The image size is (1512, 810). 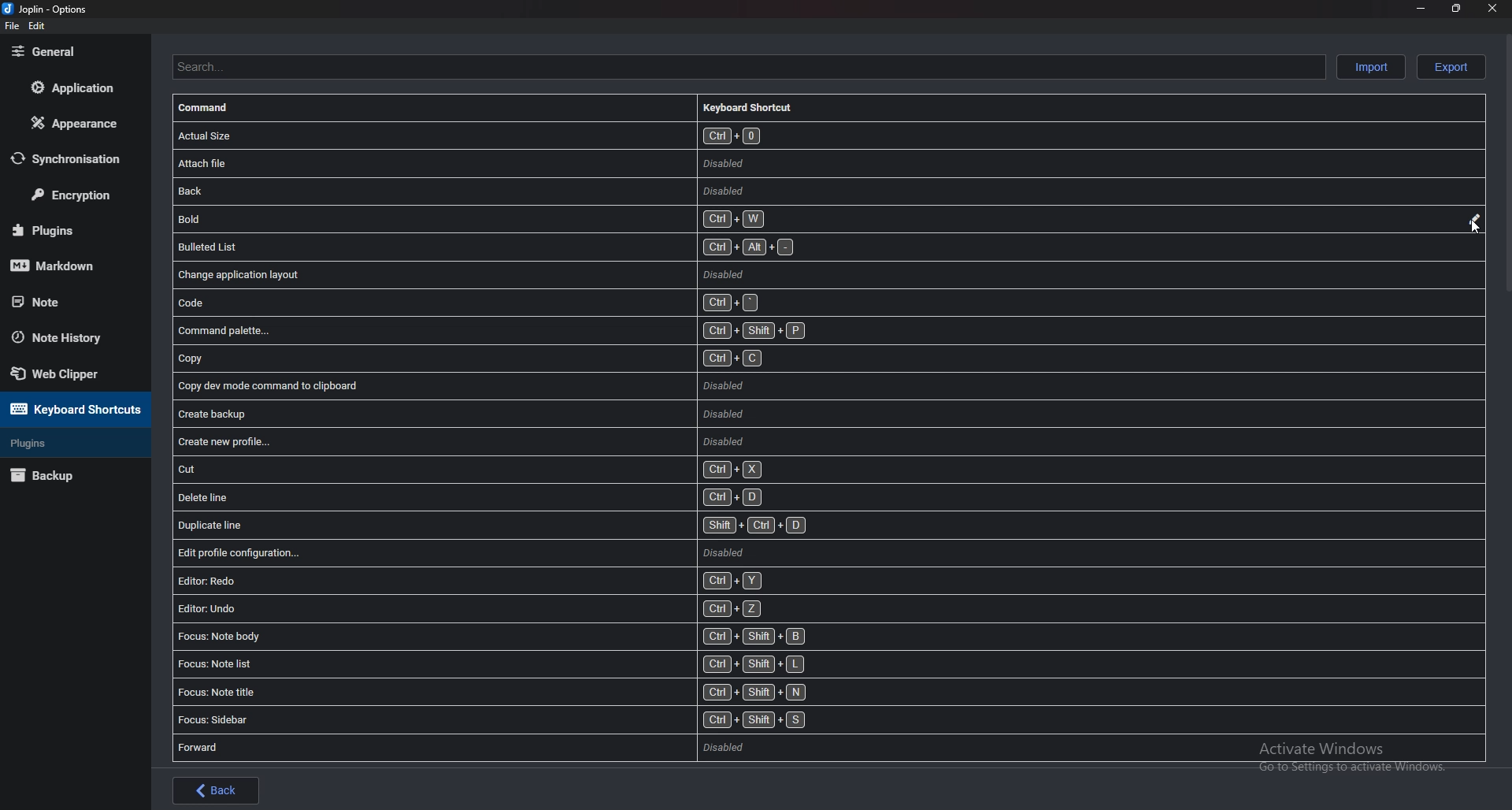 What do you see at coordinates (547, 359) in the screenshot?
I see `Copy` at bounding box center [547, 359].